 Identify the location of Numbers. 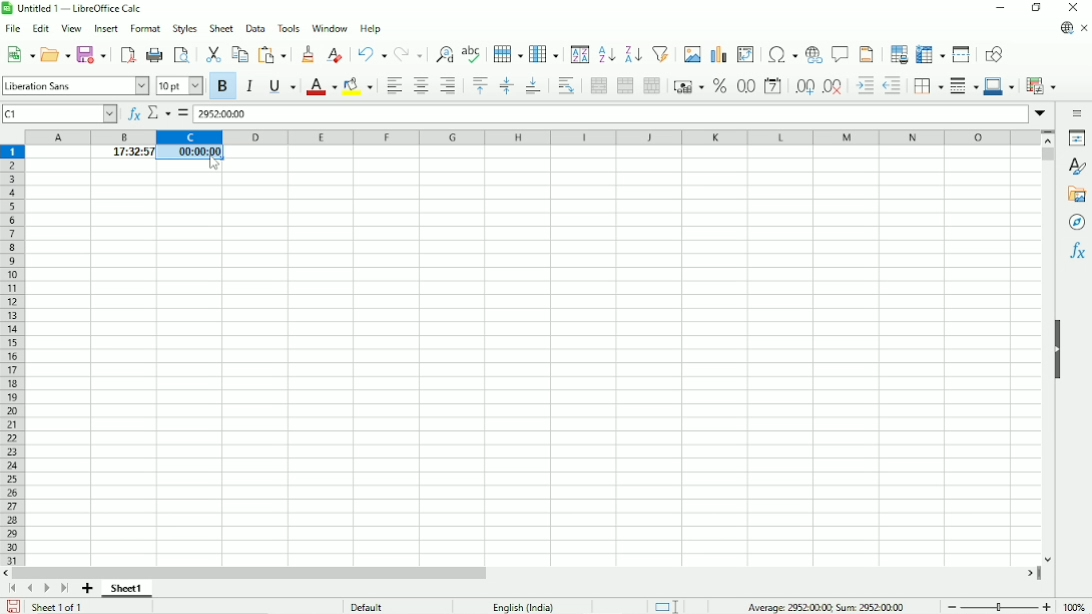
(223, 115).